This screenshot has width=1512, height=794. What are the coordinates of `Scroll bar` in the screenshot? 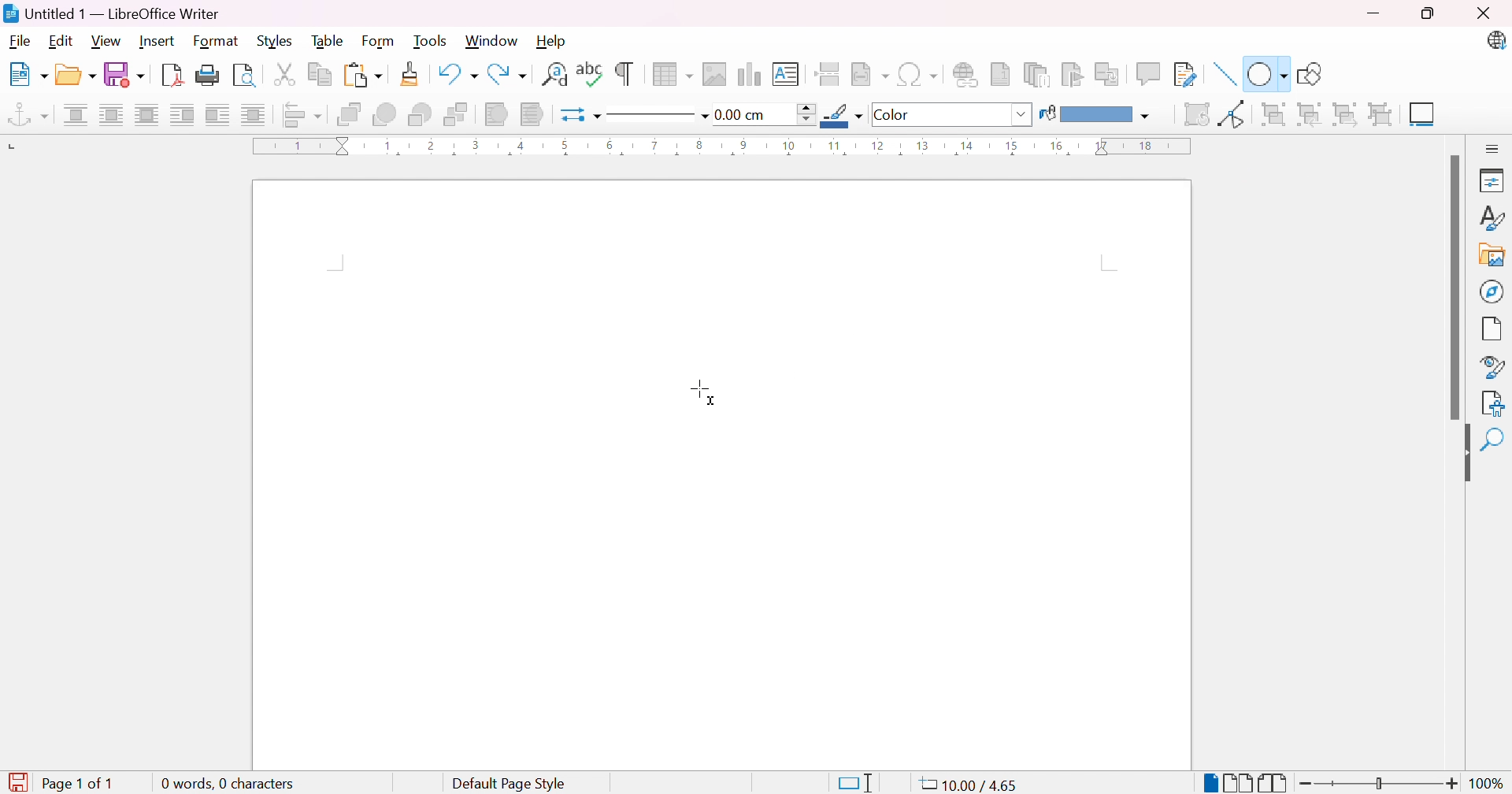 It's located at (1458, 288).